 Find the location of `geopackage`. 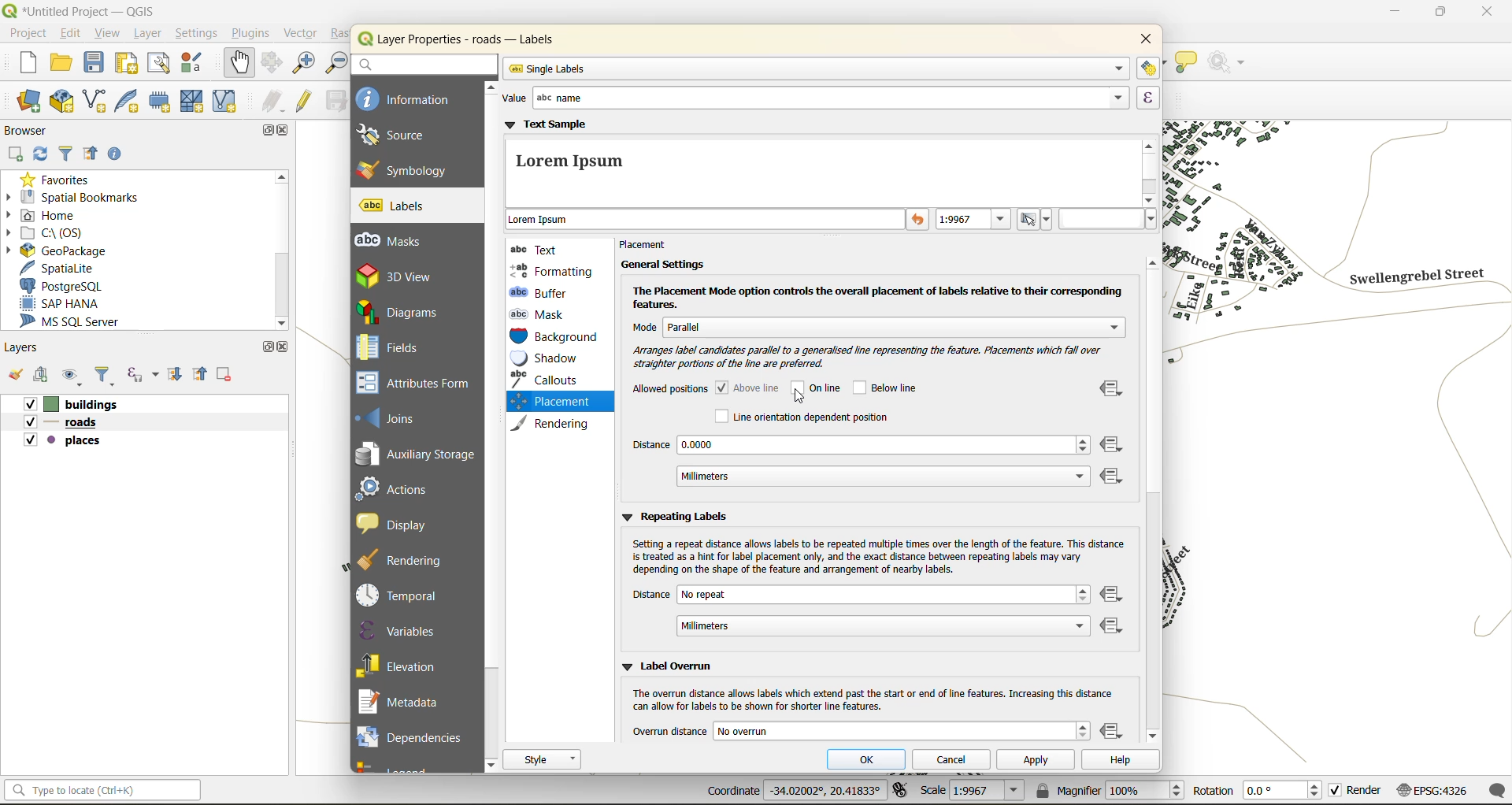

geopackage is located at coordinates (65, 253).